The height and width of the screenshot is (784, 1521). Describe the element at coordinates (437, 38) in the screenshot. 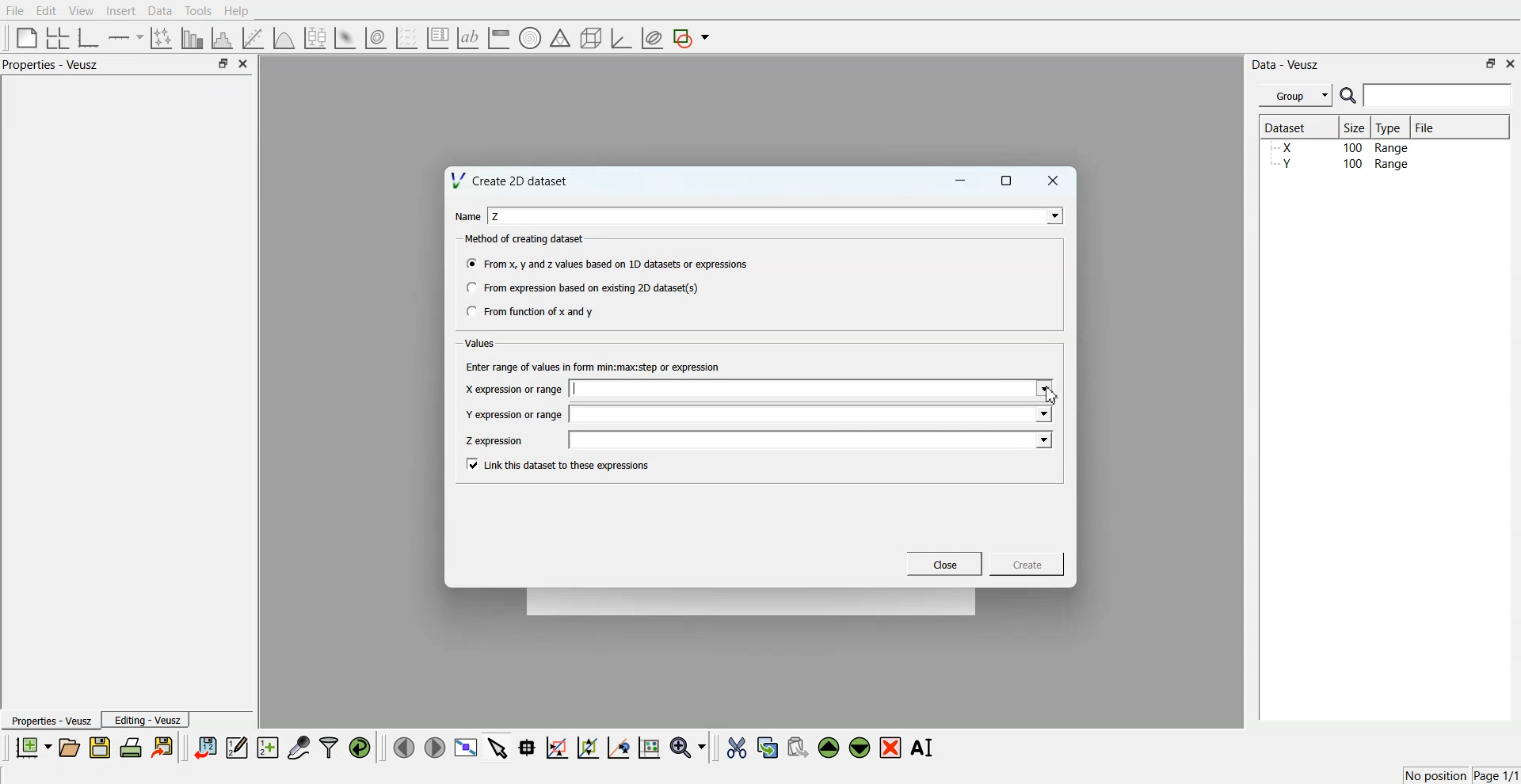

I see `Plot key` at that location.